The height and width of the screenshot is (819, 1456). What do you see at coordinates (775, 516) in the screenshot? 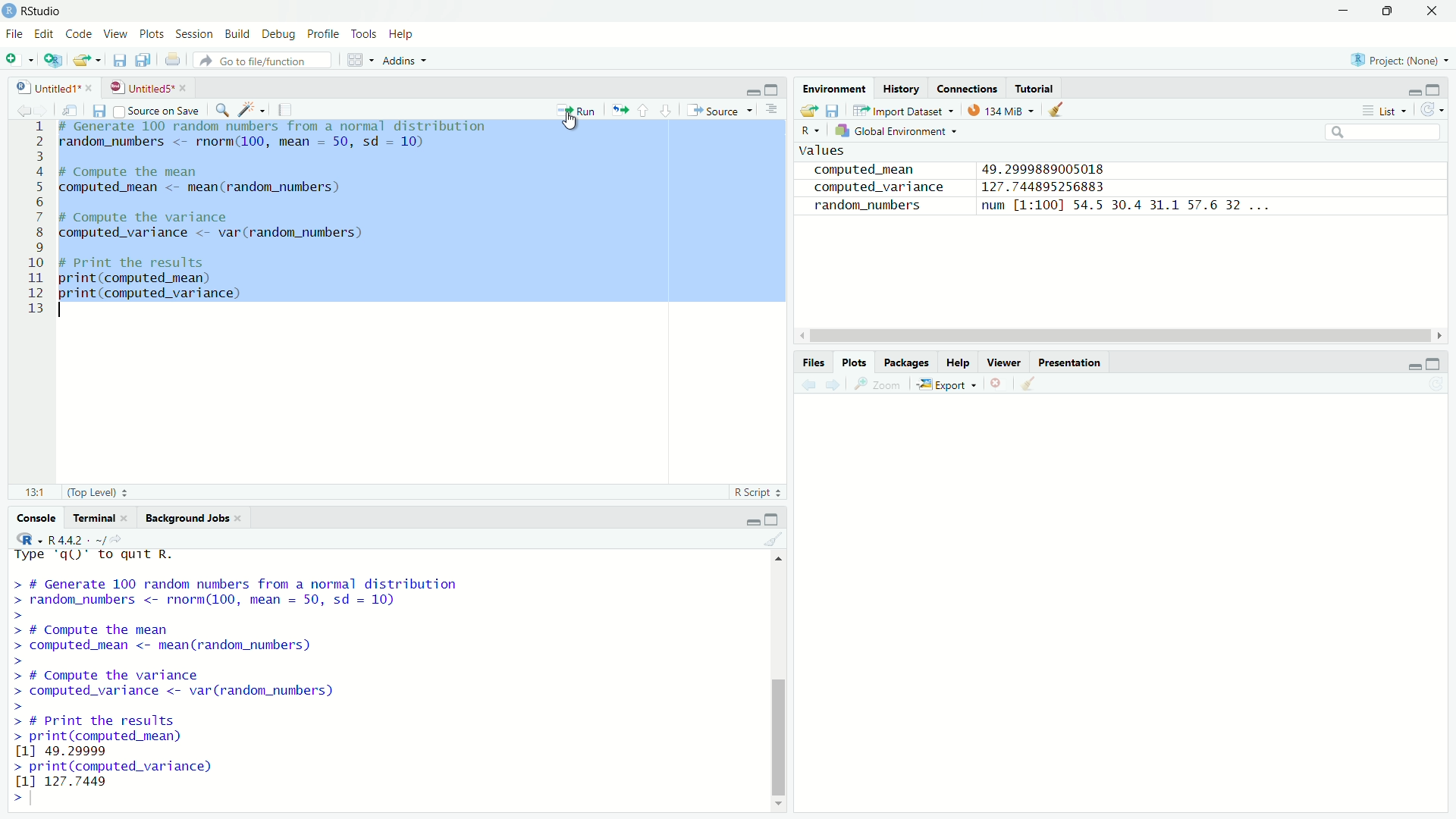
I see `maximize` at bounding box center [775, 516].